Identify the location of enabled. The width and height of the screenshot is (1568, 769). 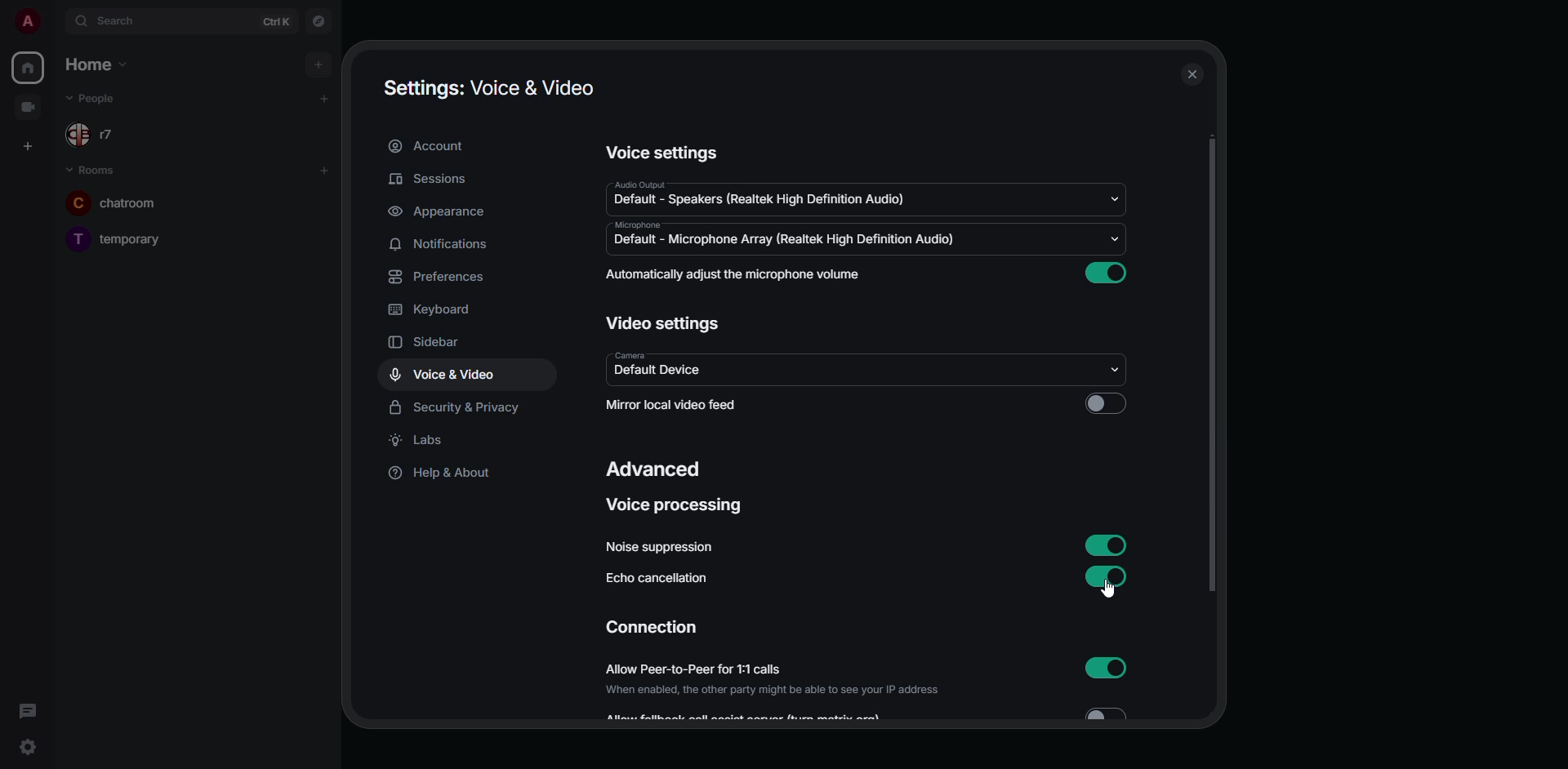
(1111, 543).